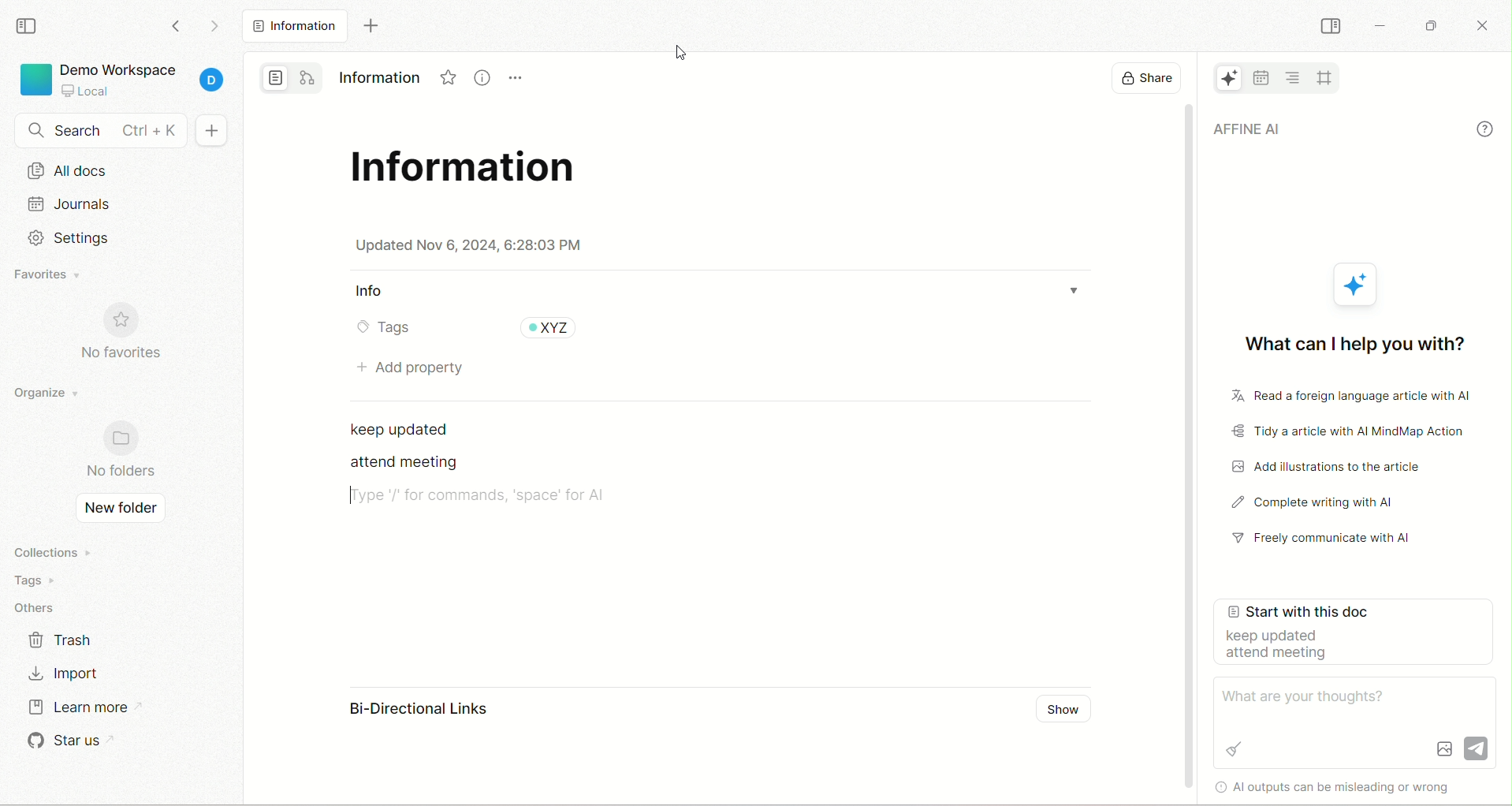  What do you see at coordinates (43, 578) in the screenshot?
I see `tags` at bounding box center [43, 578].